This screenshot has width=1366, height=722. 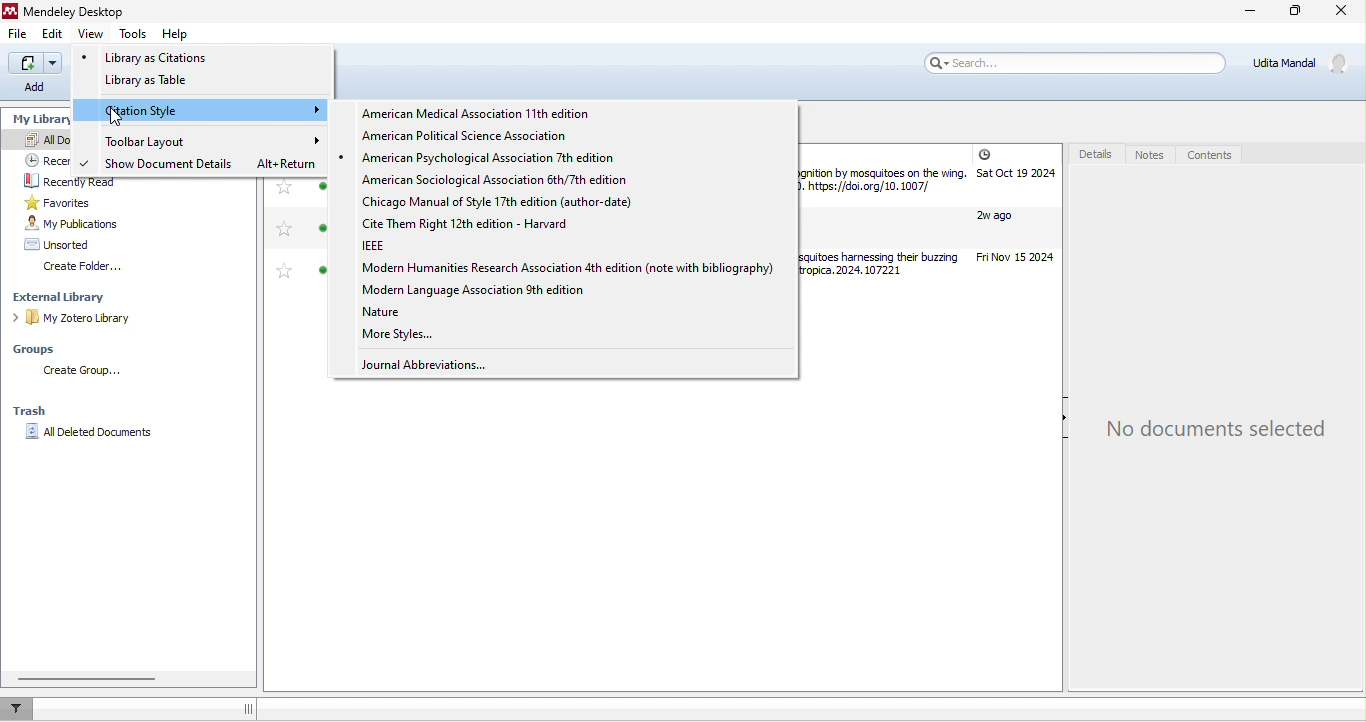 I want to click on filter, so click(x=22, y=709).